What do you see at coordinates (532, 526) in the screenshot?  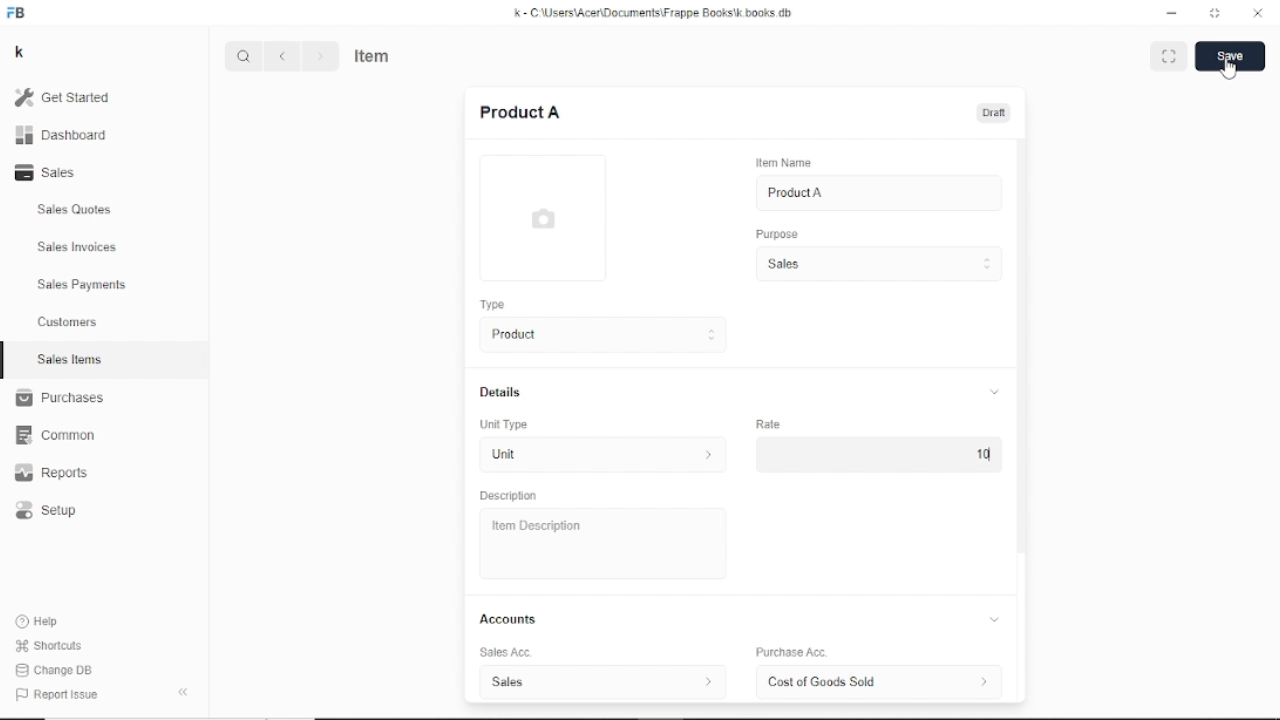 I see `Item Description` at bounding box center [532, 526].